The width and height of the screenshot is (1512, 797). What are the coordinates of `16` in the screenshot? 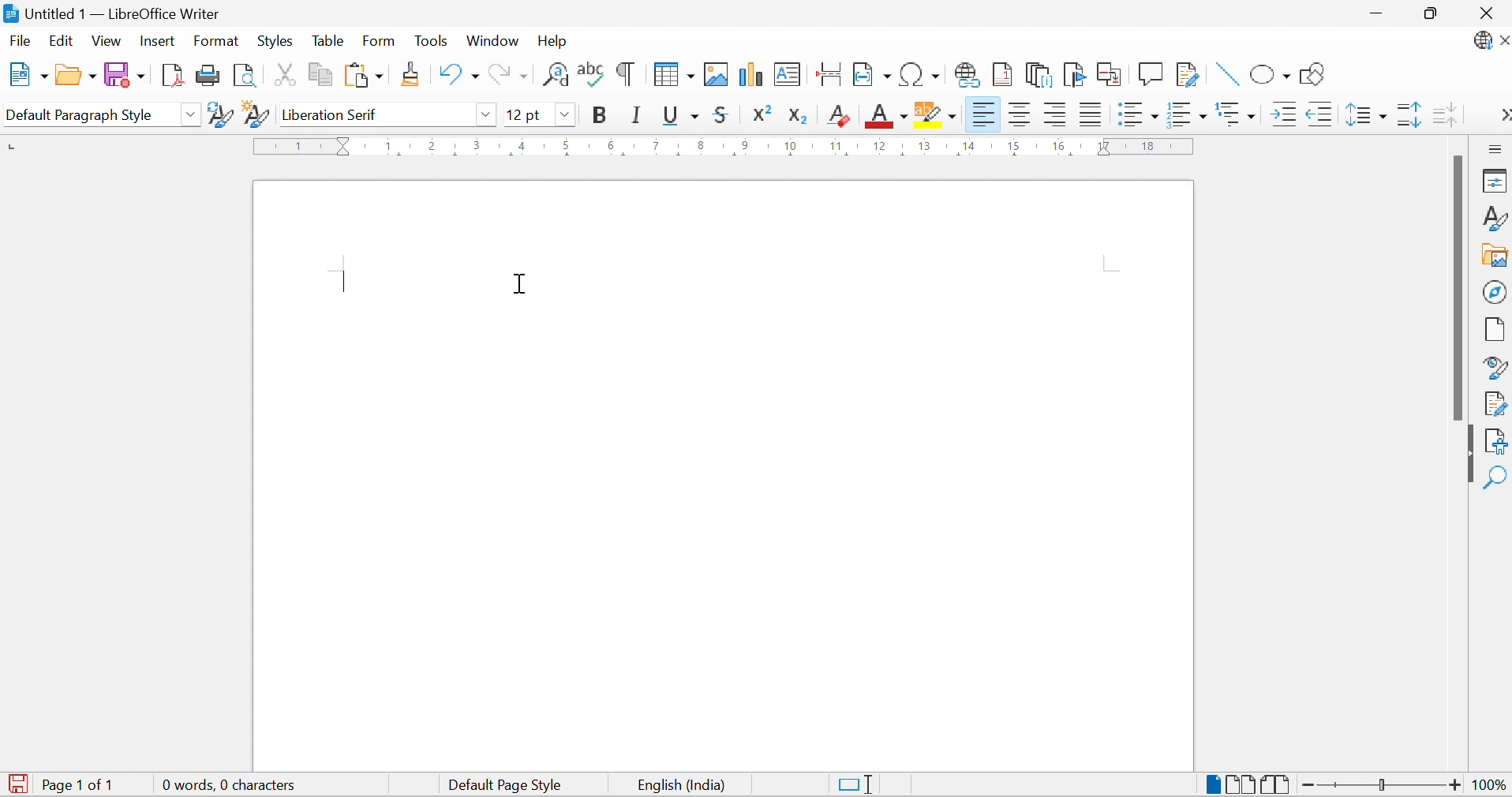 It's located at (1057, 147).